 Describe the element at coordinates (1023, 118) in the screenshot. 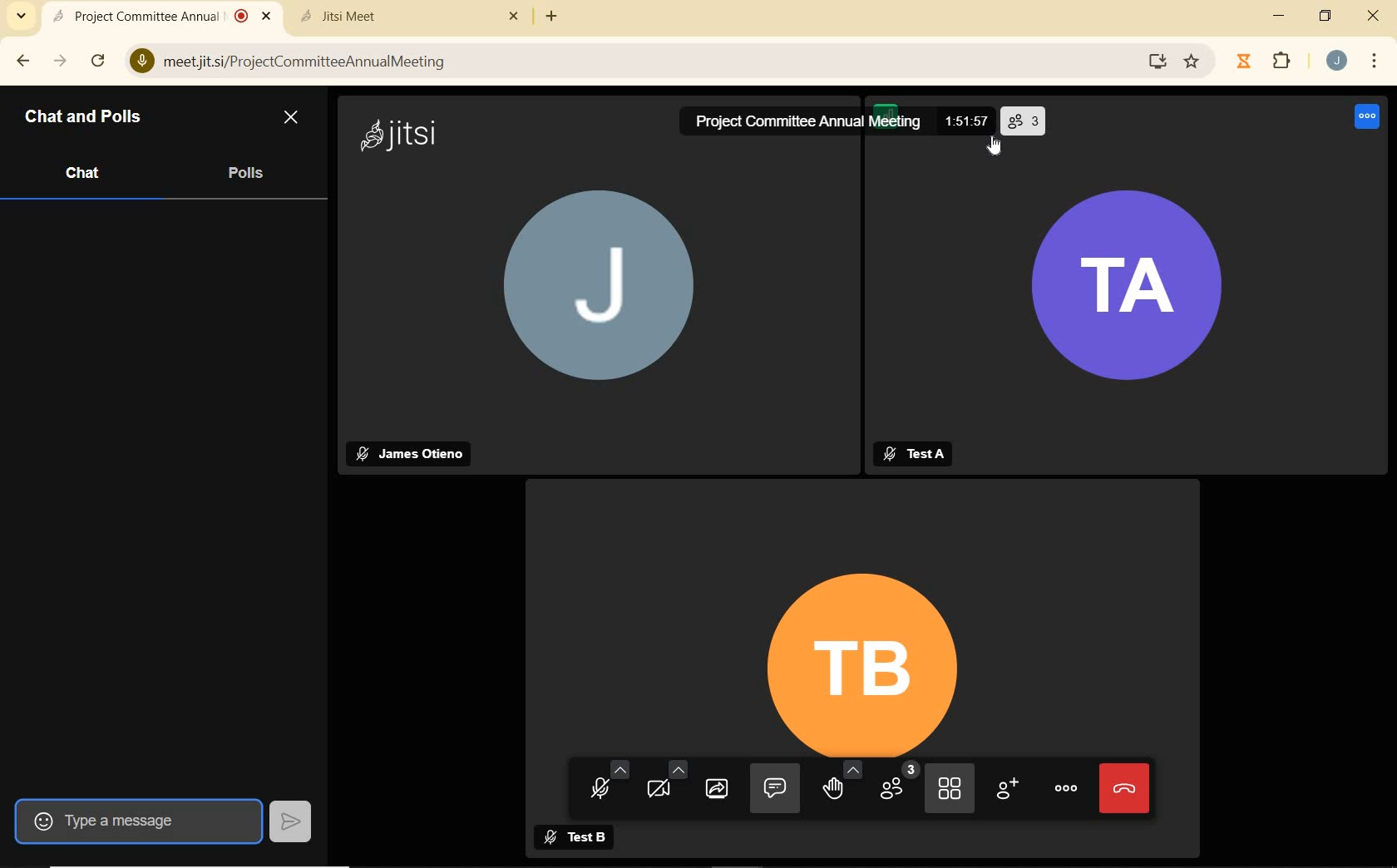

I see `participants (3)` at that location.